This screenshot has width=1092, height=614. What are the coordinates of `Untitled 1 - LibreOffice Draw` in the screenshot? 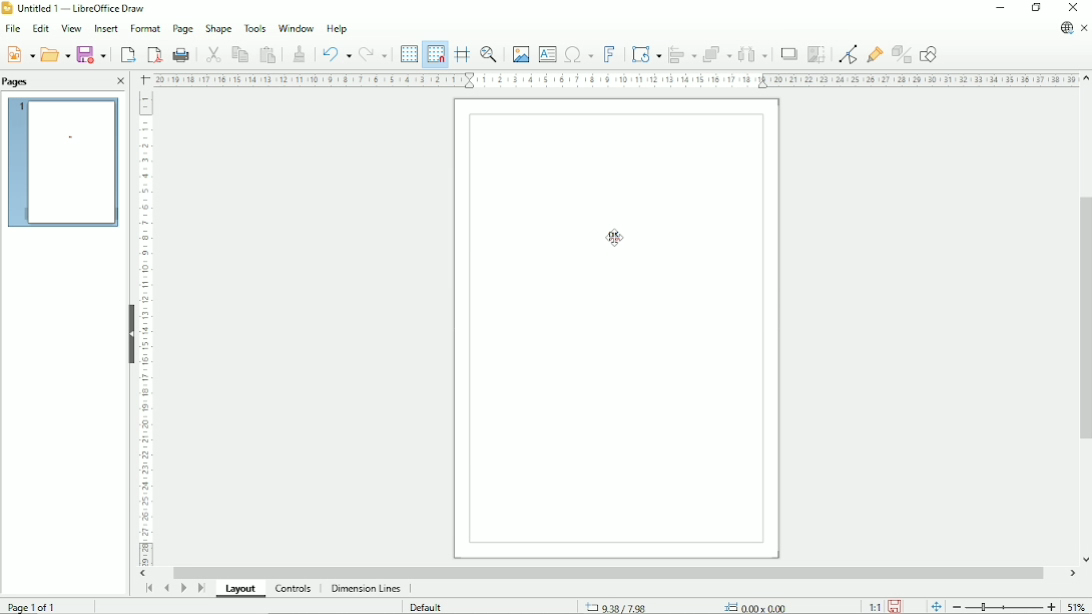 It's located at (79, 8).